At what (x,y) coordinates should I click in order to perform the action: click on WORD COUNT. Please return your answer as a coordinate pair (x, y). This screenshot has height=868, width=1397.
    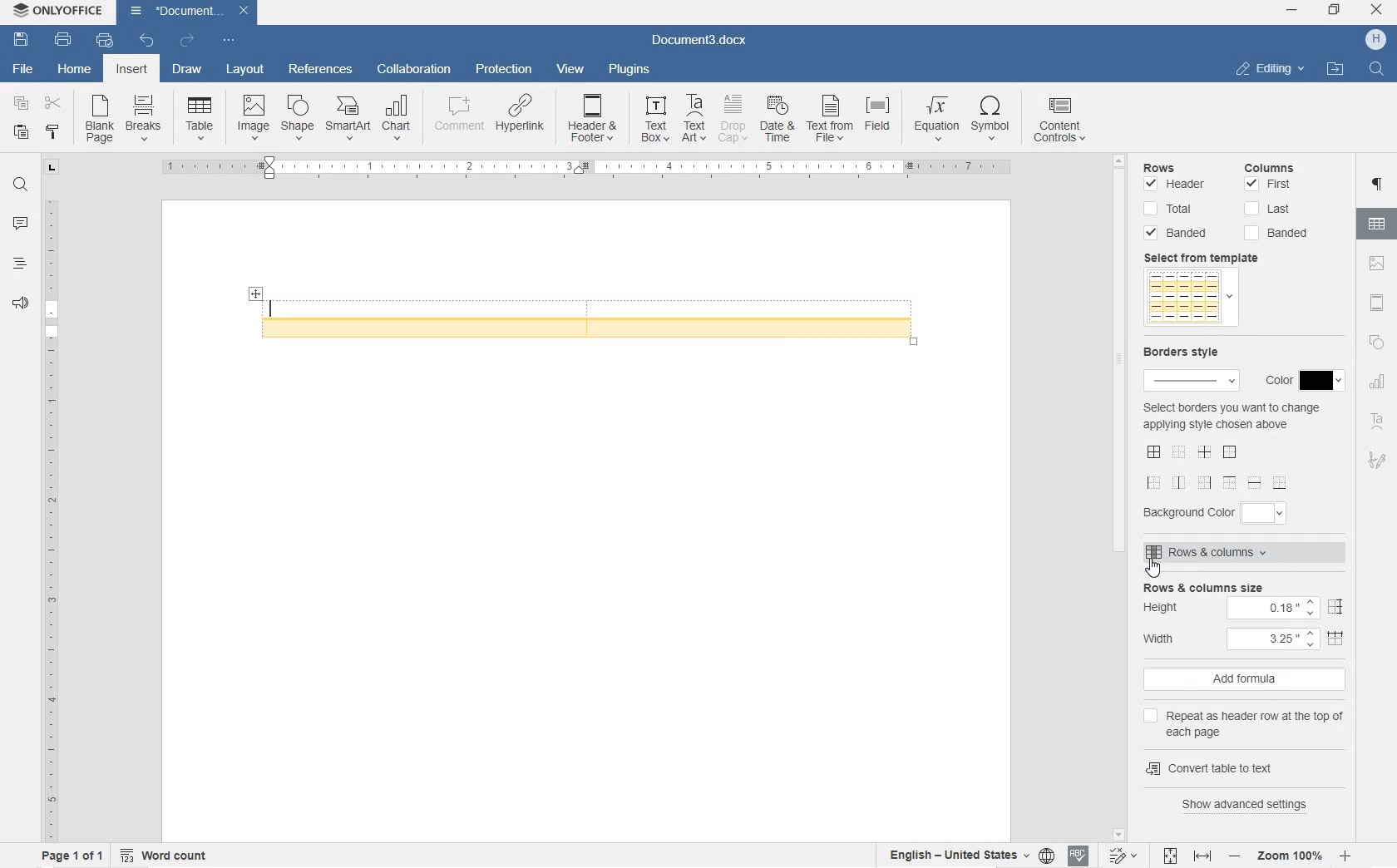
    Looking at the image, I should click on (165, 854).